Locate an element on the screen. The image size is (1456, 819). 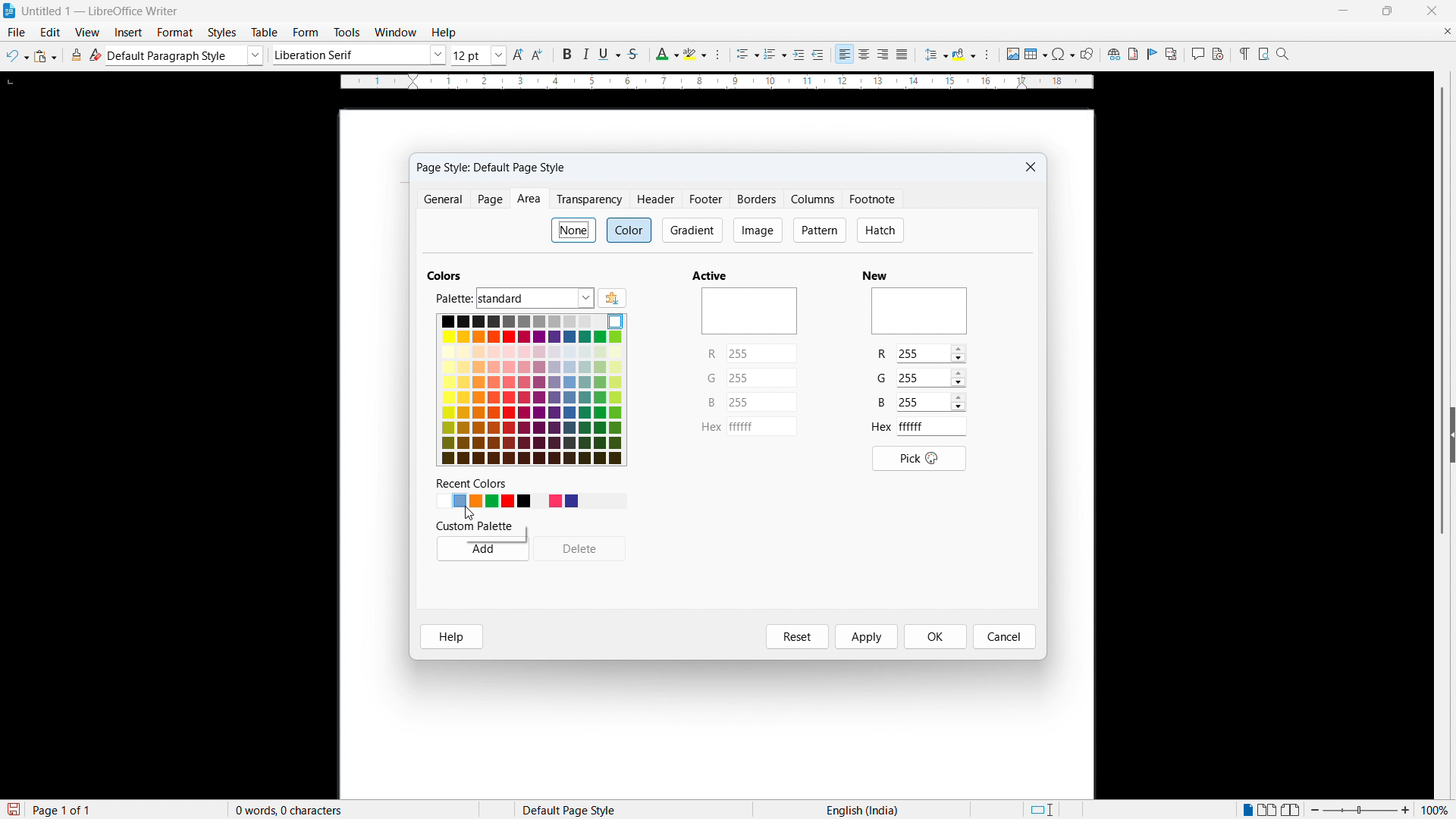
Background colour  is located at coordinates (965, 55).